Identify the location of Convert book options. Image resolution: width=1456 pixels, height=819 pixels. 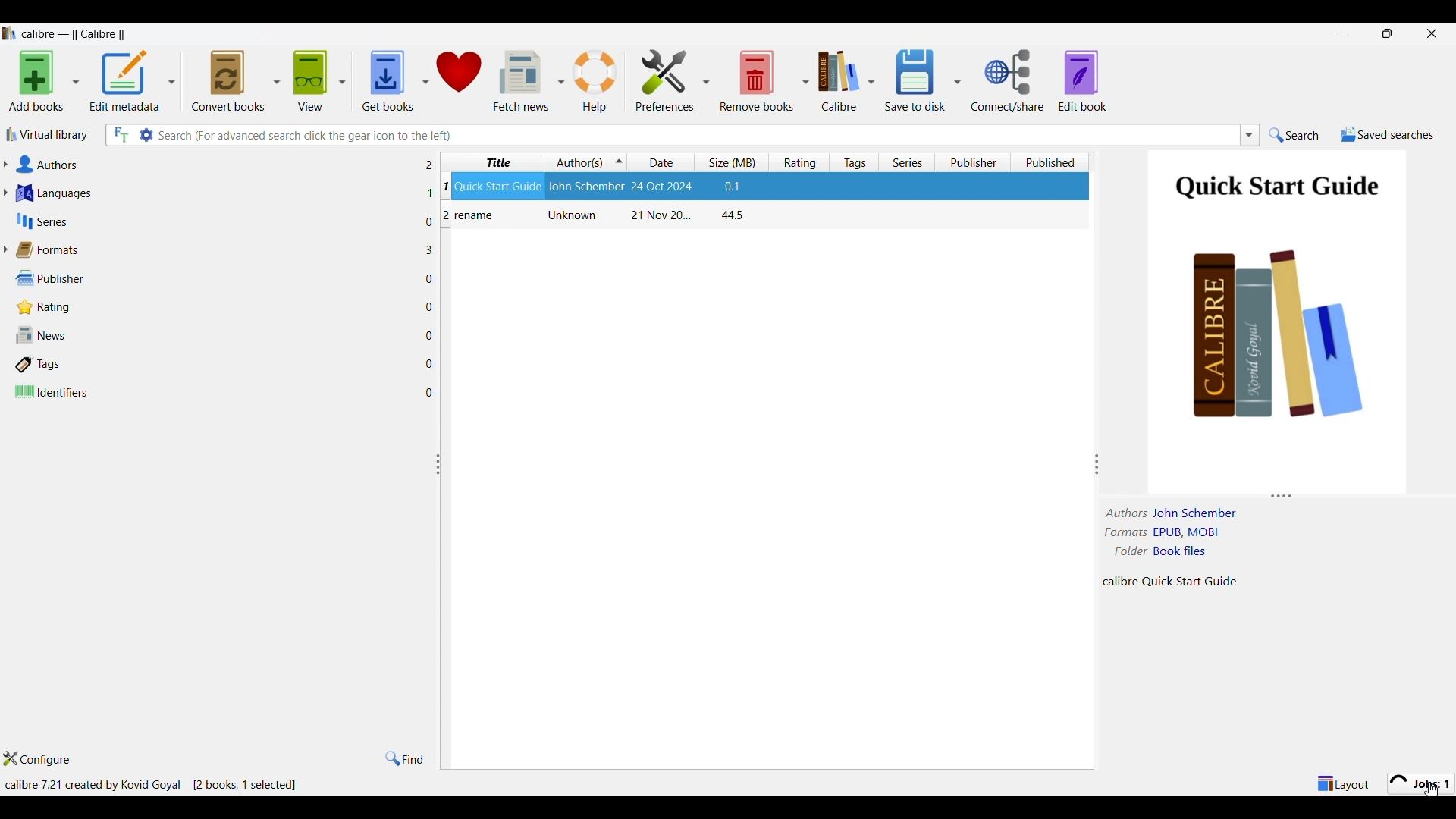
(277, 80).